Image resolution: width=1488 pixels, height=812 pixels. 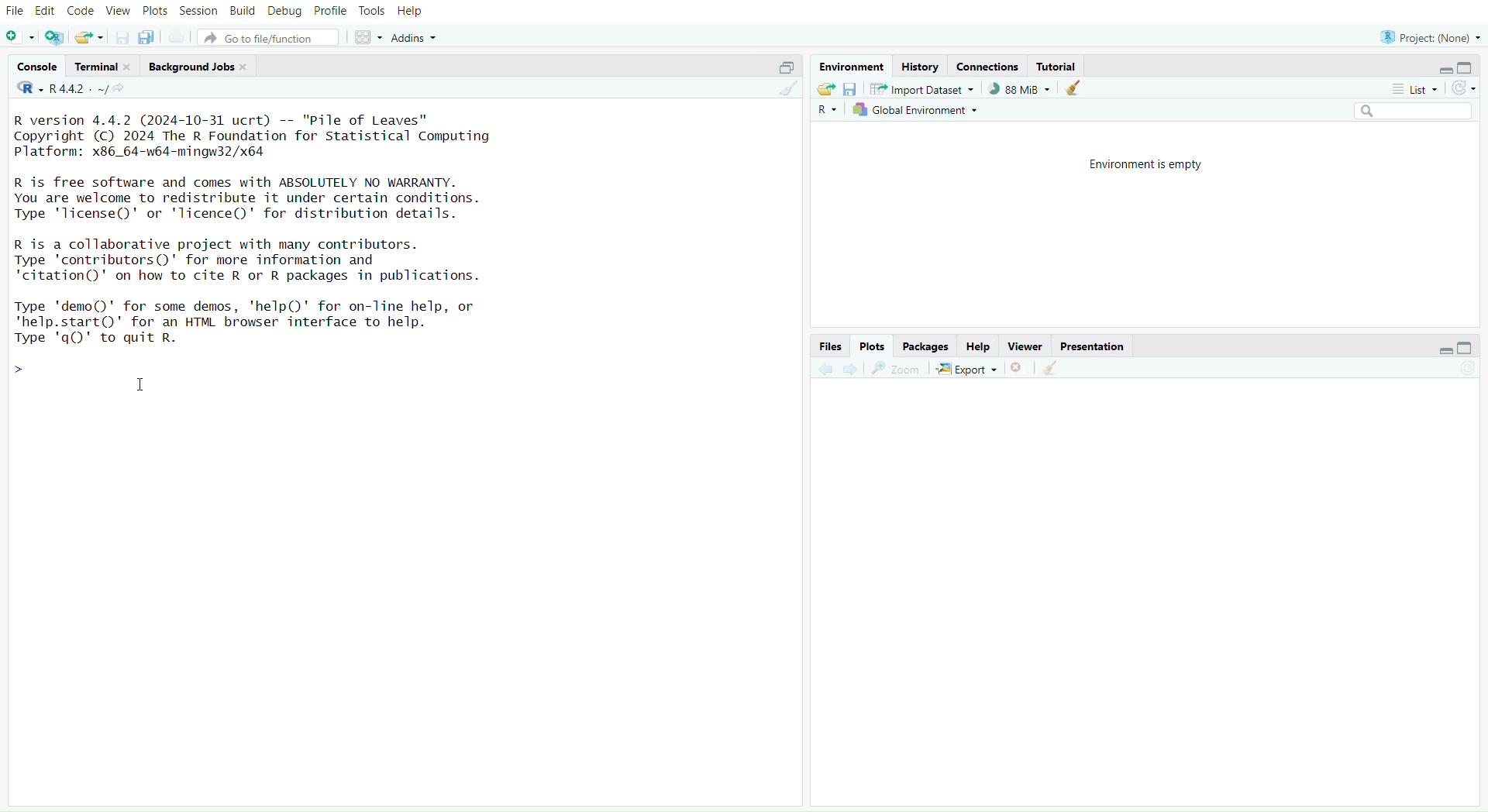 I want to click on build, so click(x=243, y=11).